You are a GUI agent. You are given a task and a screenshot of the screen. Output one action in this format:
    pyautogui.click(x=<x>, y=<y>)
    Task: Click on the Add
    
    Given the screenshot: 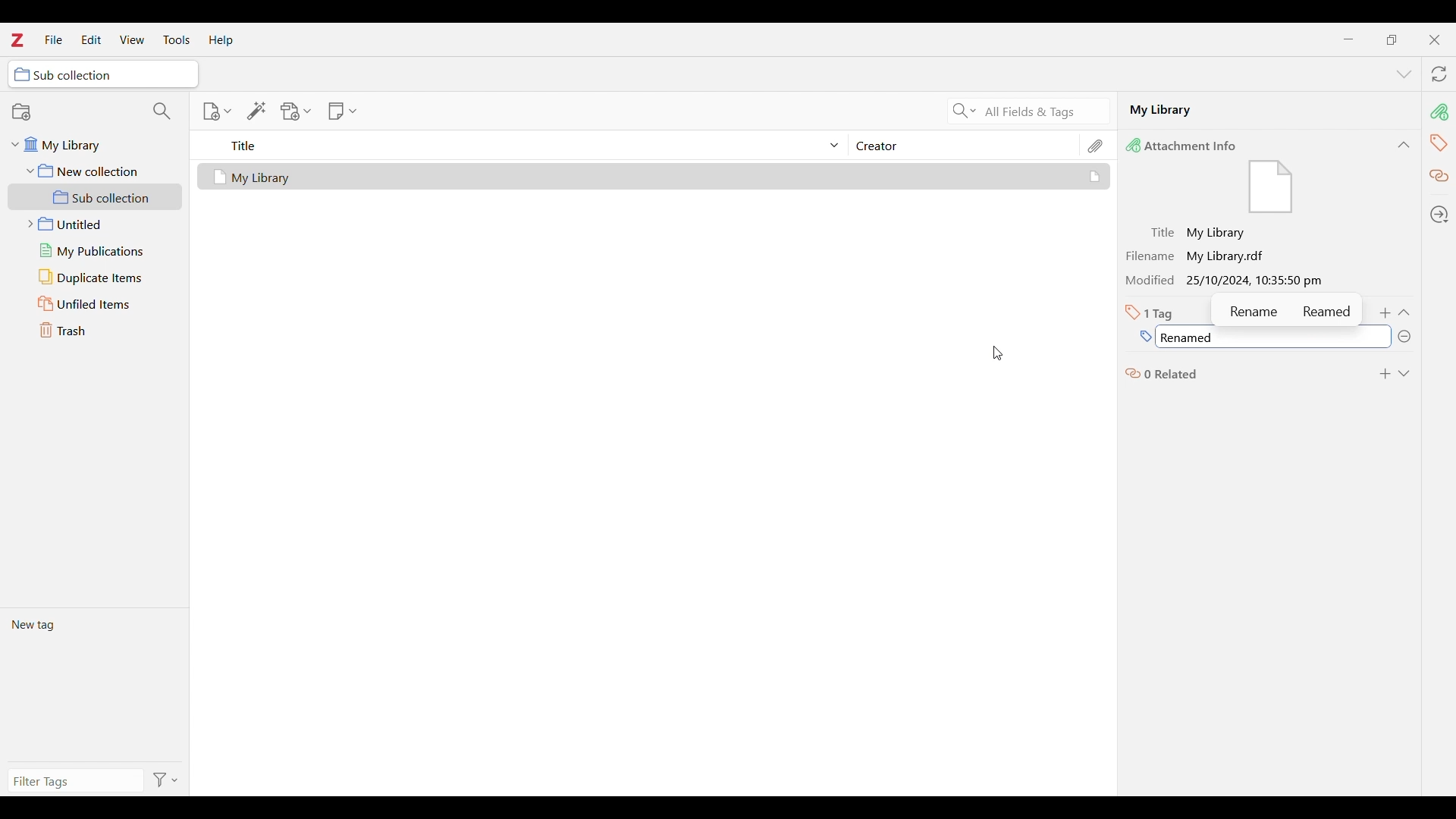 What is the action you would take?
    pyautogui.click(x=1385, y=374)
    